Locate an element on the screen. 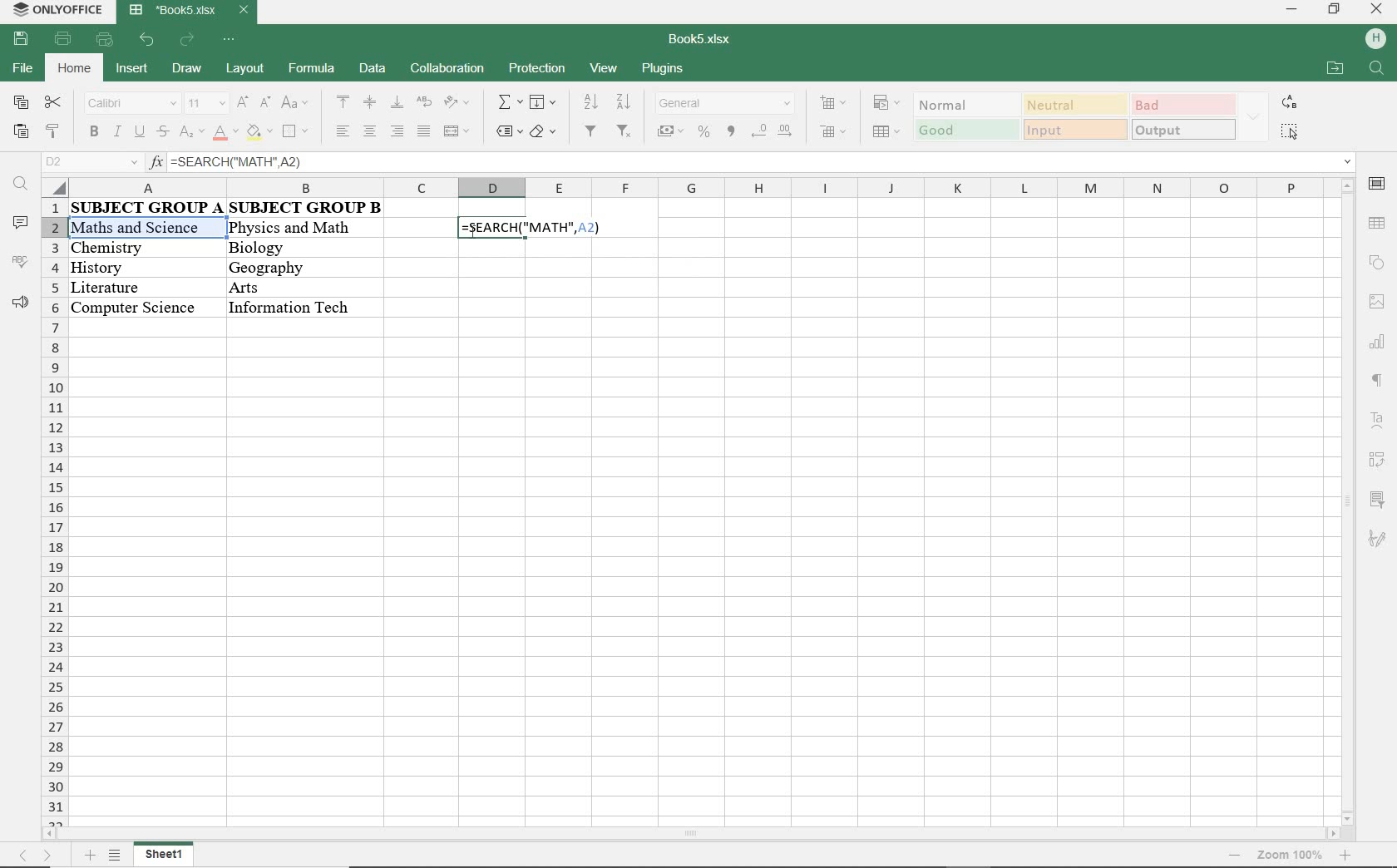  home is located at coordinates (77, 67).